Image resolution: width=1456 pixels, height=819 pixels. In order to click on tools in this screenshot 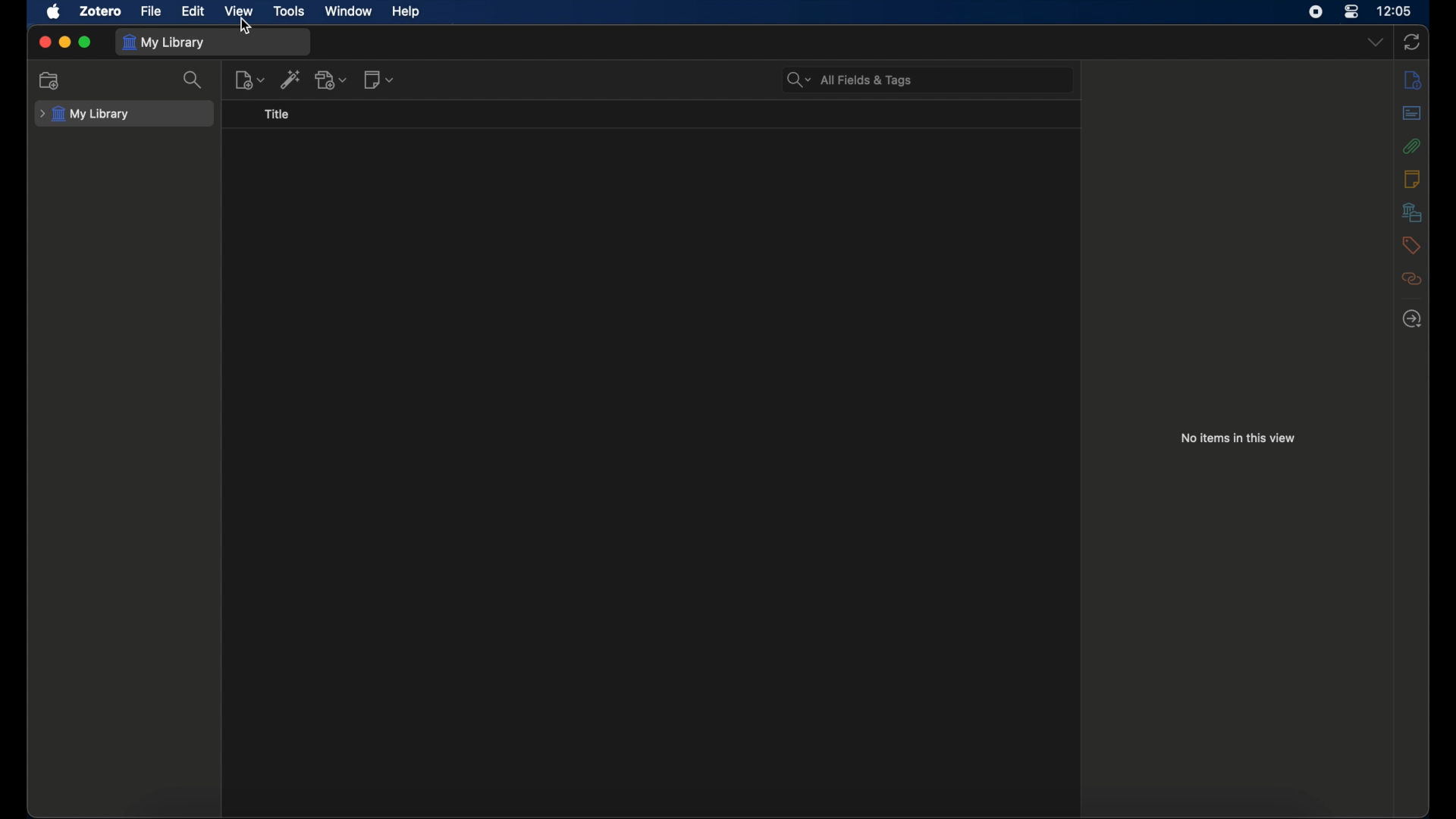, I will do `click(290, 11)`.